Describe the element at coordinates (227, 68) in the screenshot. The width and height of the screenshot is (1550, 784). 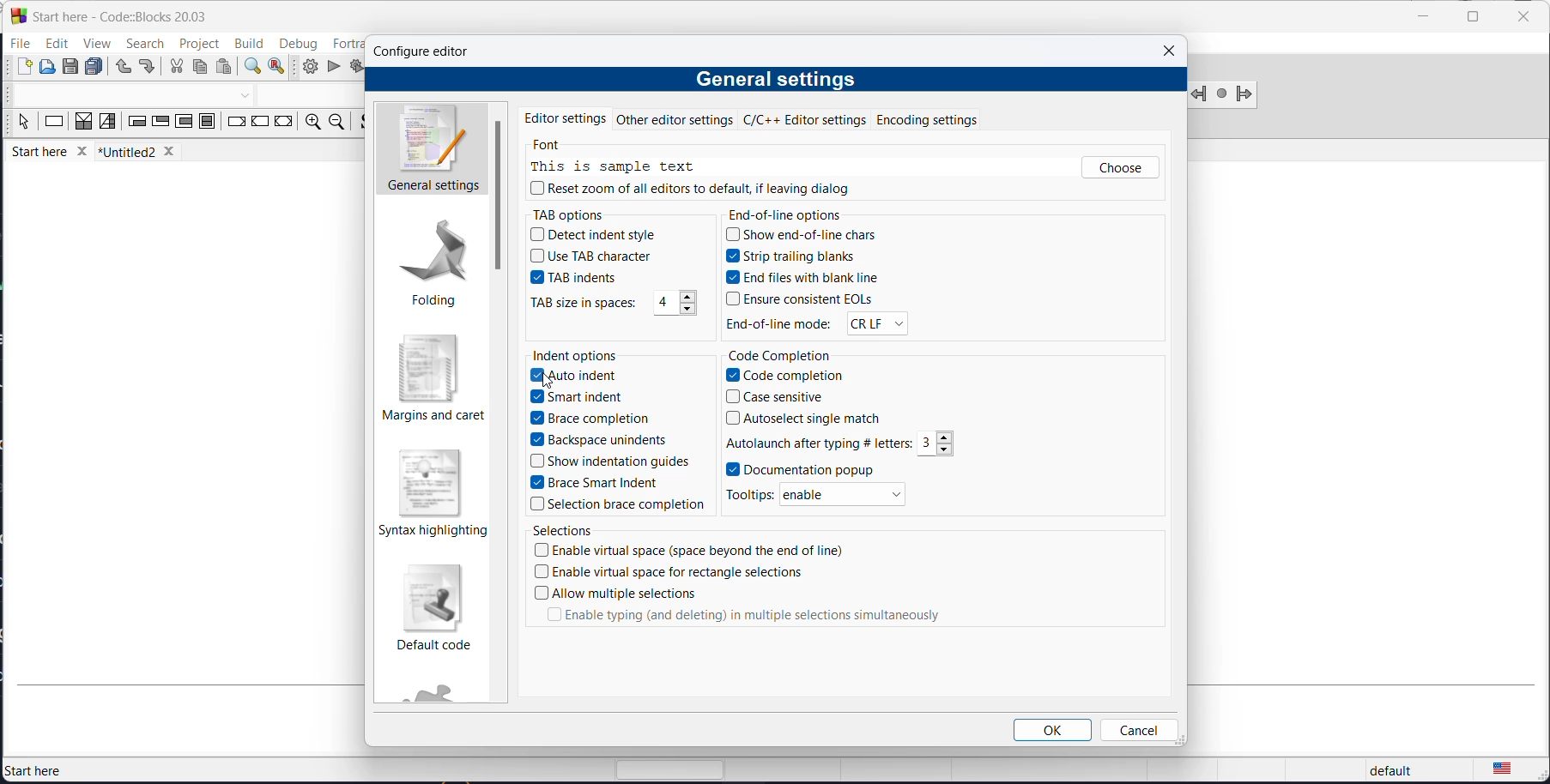
I see `paste` at that location.